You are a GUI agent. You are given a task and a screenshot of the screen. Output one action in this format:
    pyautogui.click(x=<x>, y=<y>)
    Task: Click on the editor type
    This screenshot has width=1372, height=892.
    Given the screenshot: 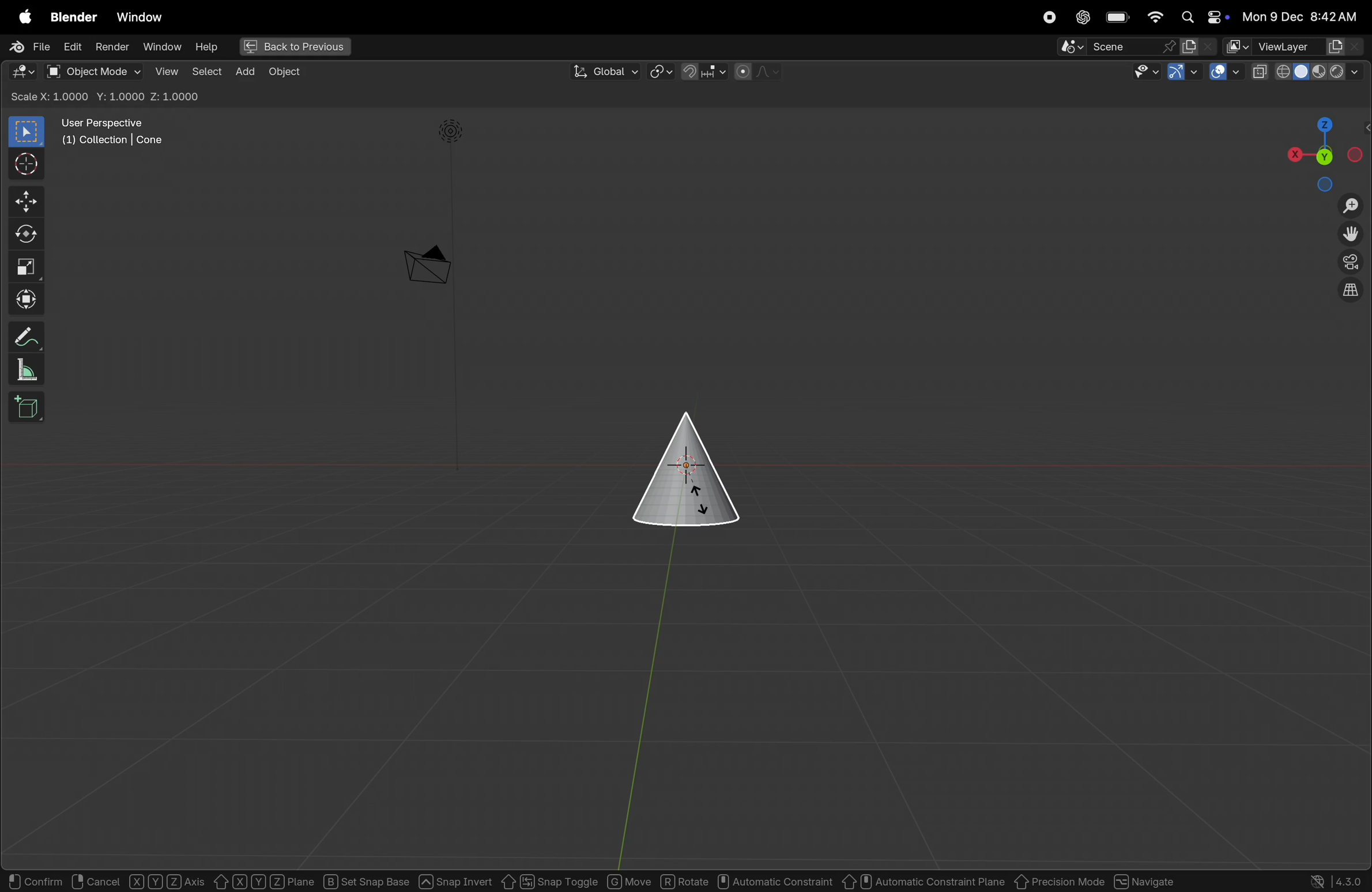 What is the action you would take?
    pyautogui.click(x=22, y=70)
    